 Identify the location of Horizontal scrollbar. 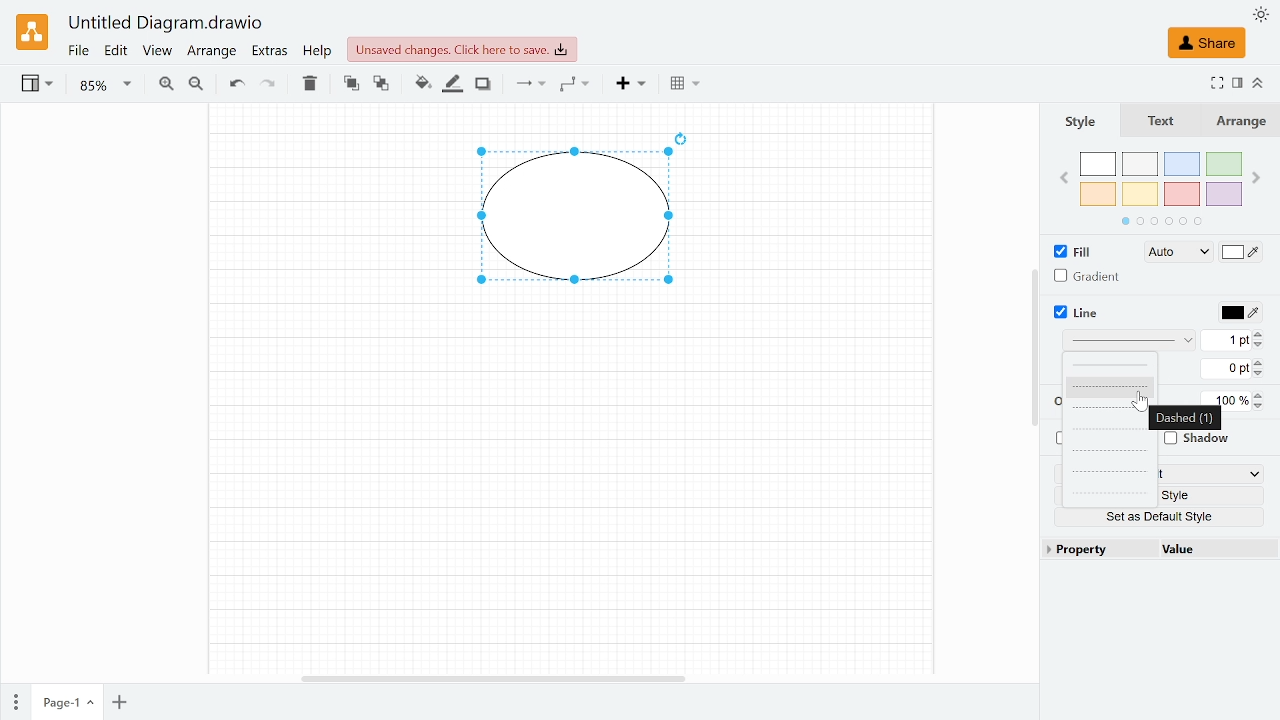
(490, 678).